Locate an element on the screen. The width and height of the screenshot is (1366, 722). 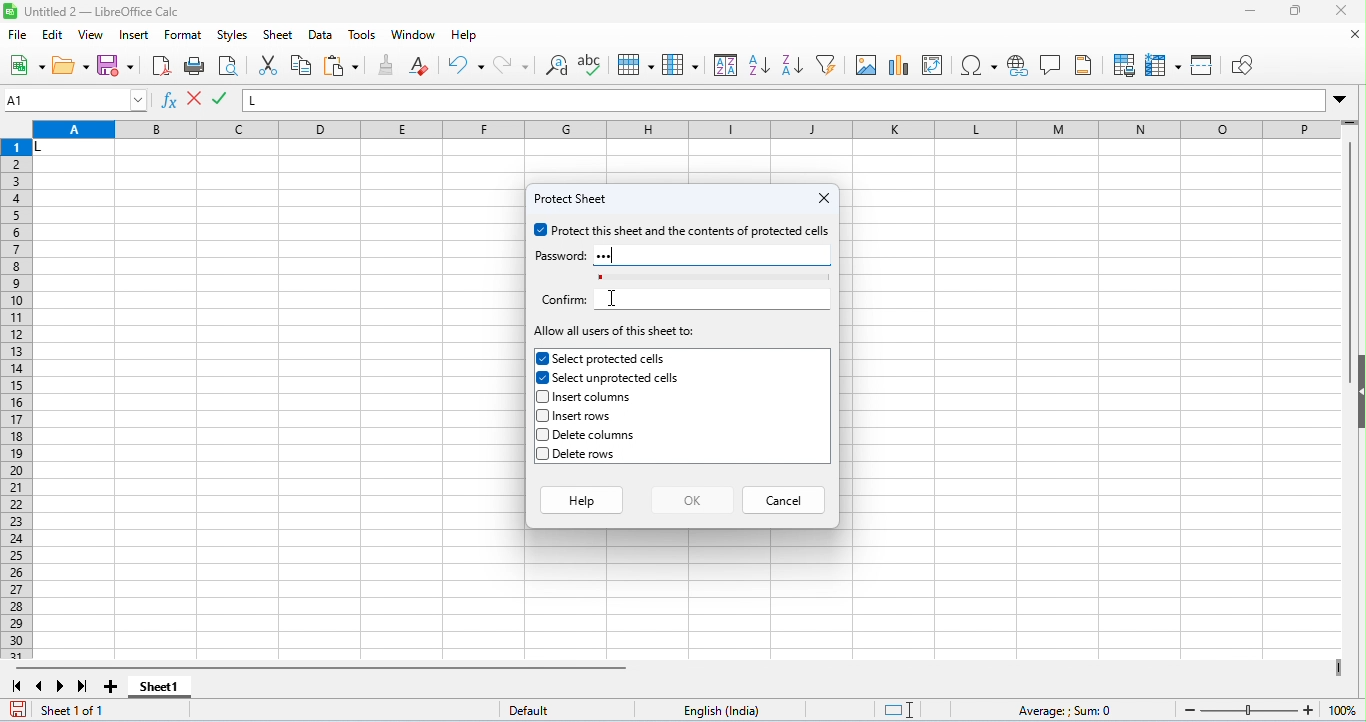
clone is located at coordinates (388, 64).